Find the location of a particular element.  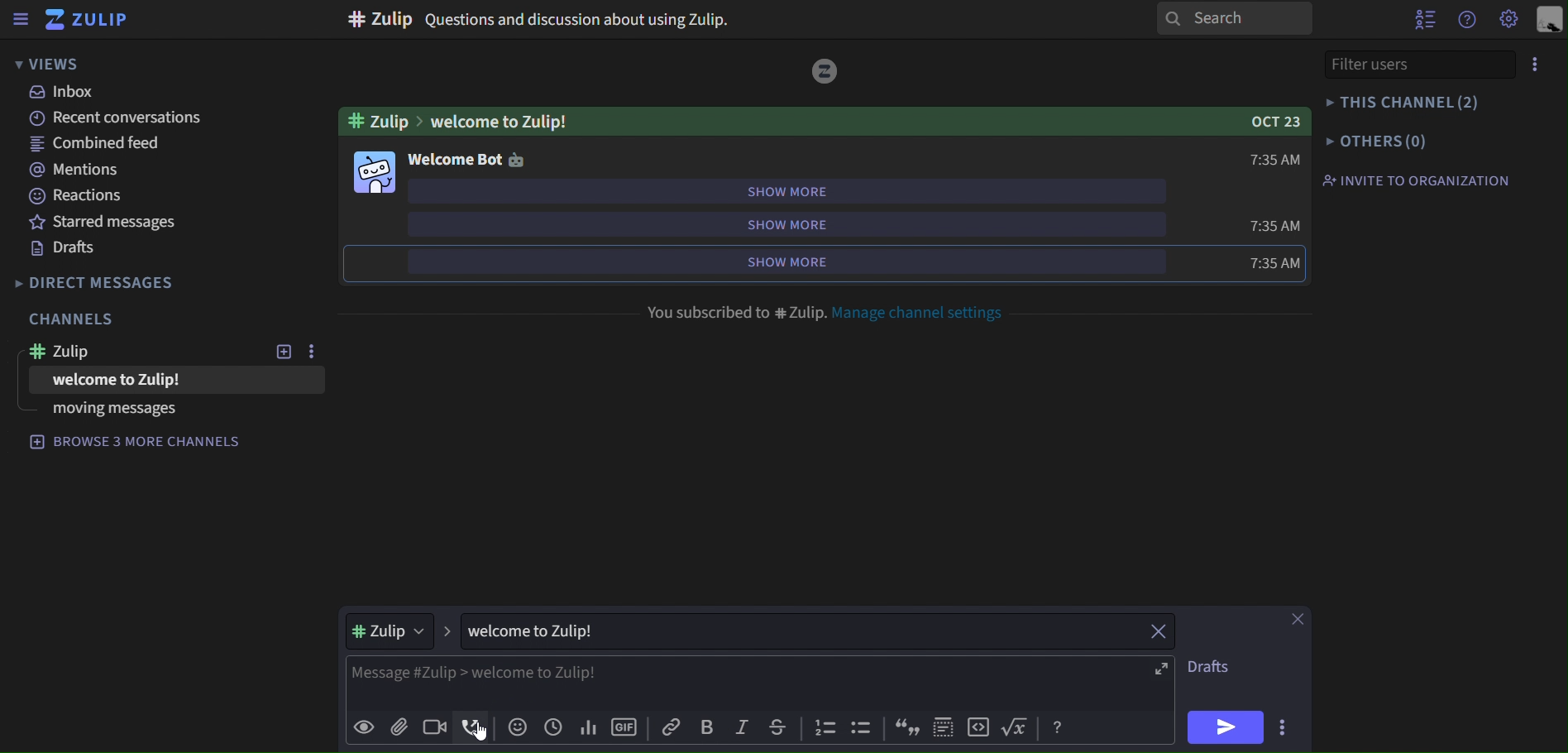

starred messages is located at coordinates (99, 221).